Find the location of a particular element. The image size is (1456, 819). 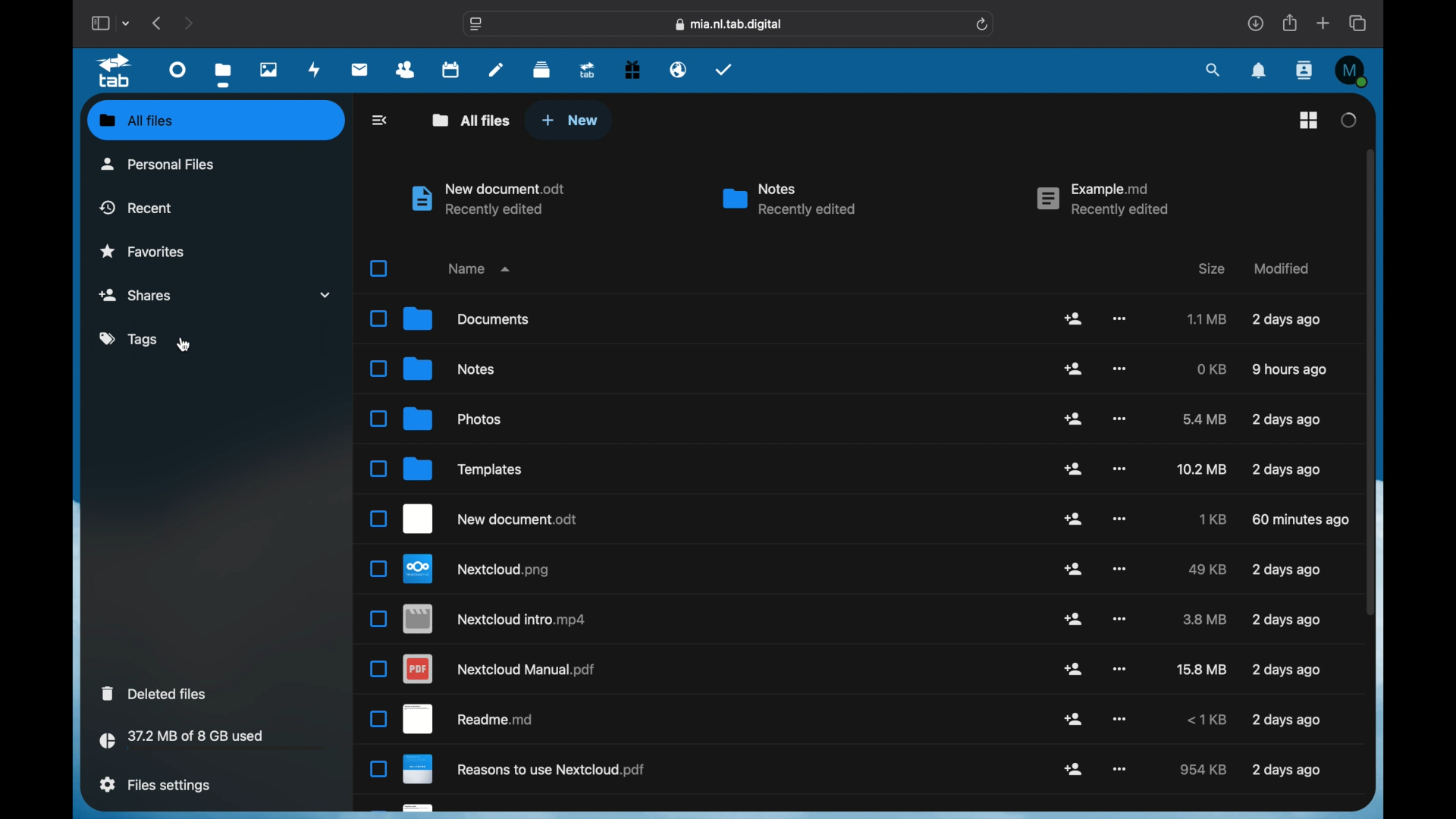

documents is located at coordinates (467, 320).